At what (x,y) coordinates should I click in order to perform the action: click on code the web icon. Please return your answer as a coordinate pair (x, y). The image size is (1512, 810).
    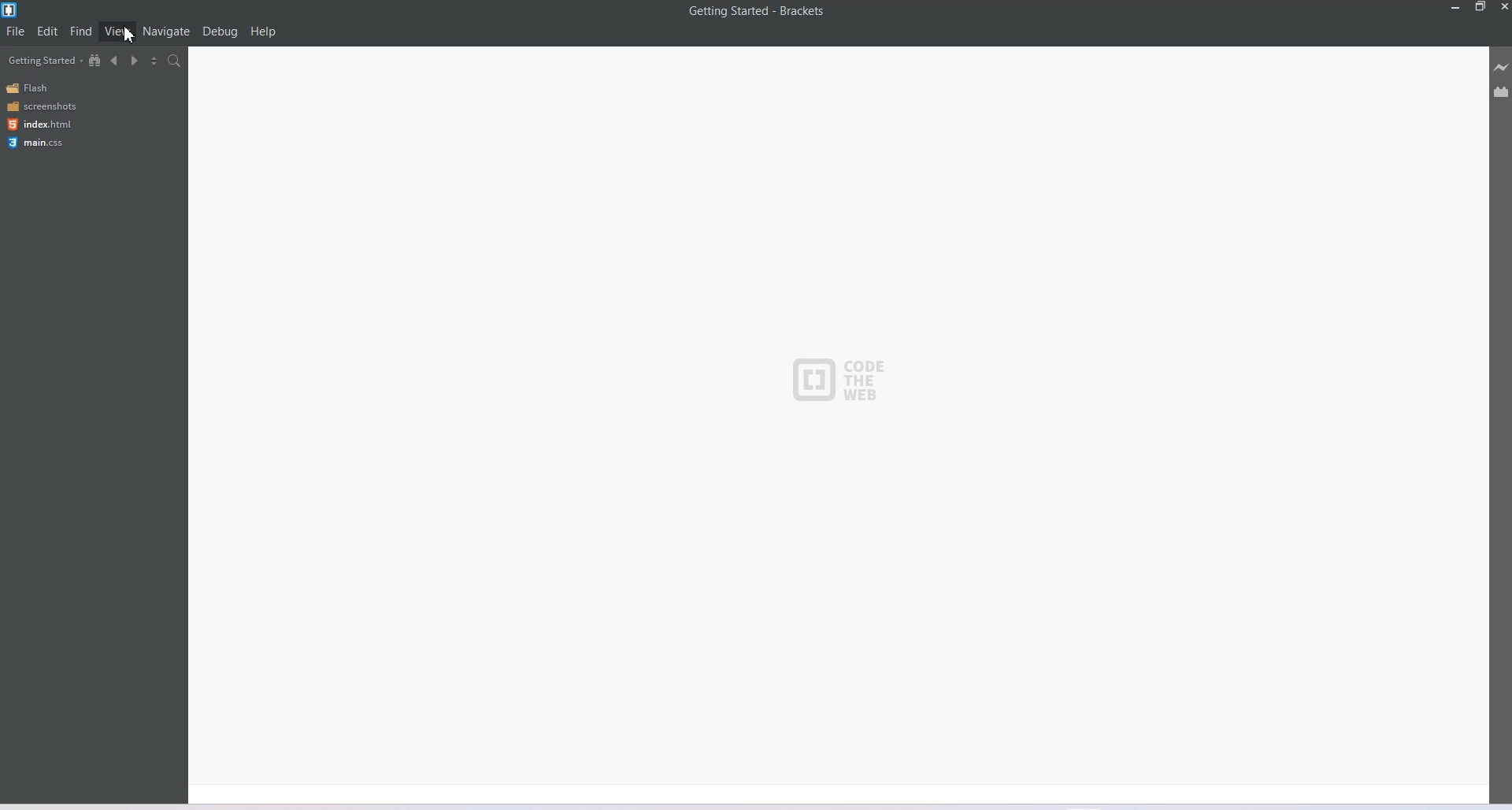
    Looking at the image, I should click on (847, 383).